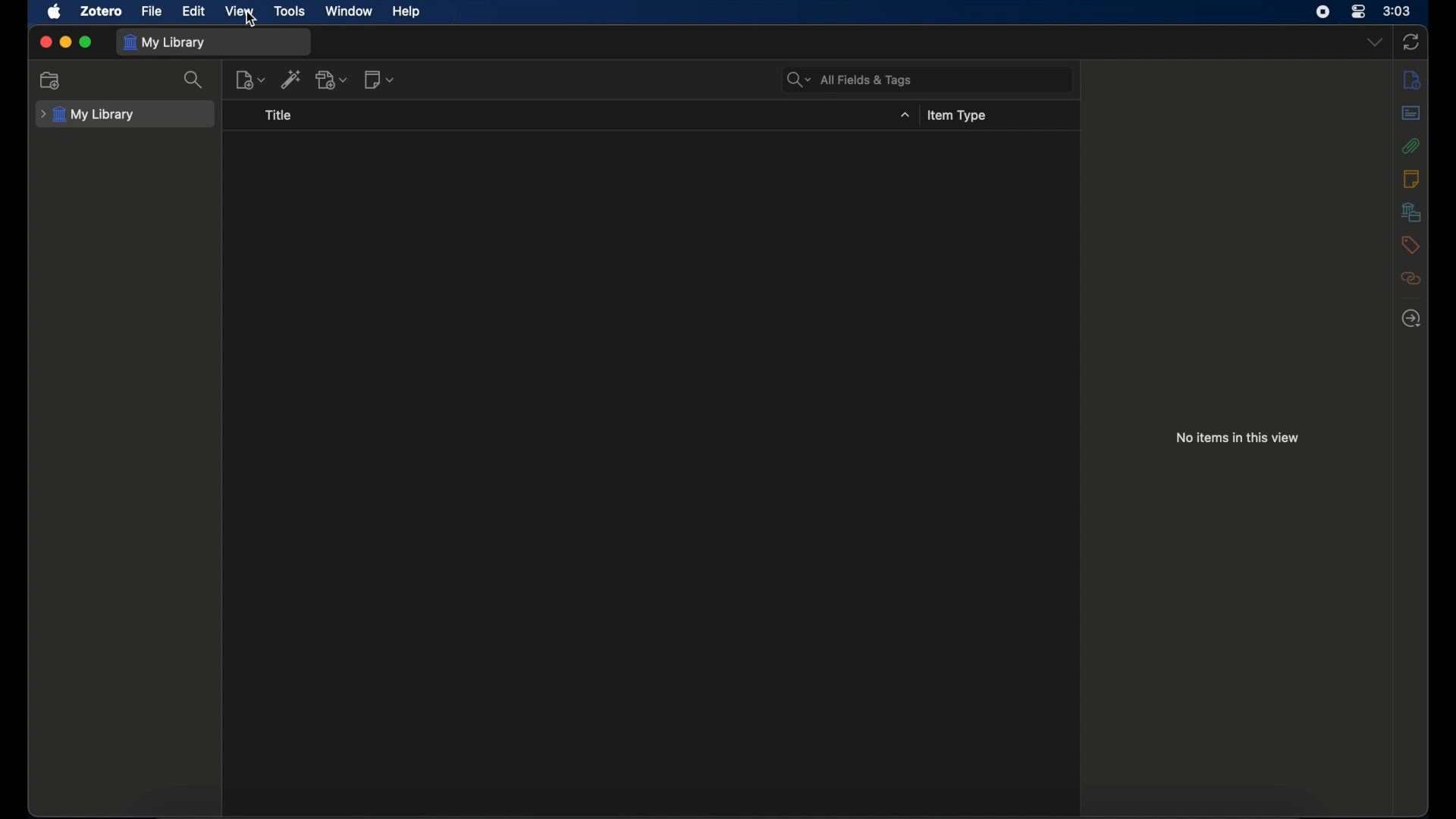  I want to click on maximize, so click(86, 42).